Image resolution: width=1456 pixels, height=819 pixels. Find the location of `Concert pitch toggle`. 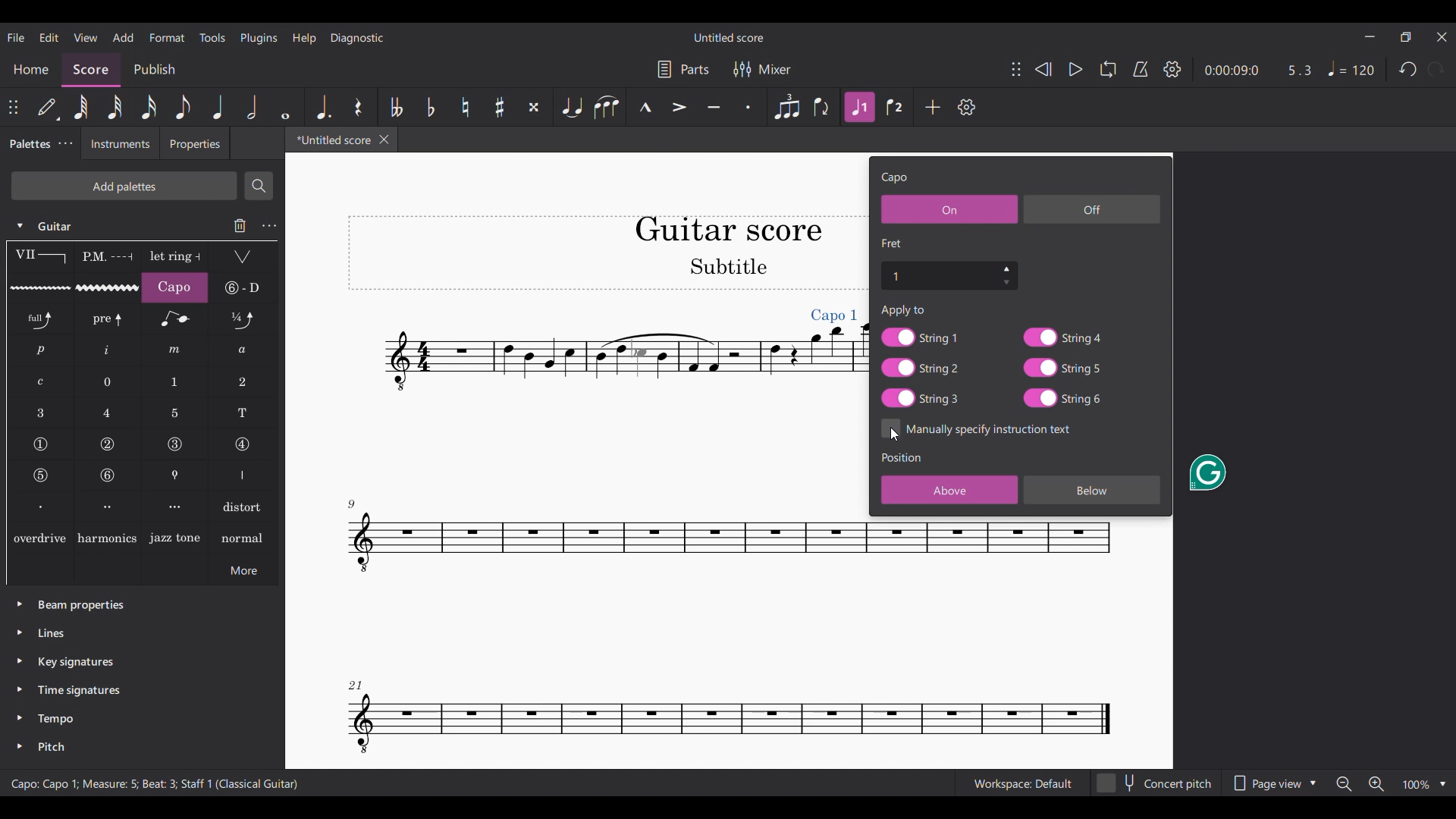

Concert pitch toggle is located at coordinates (1156, 783).